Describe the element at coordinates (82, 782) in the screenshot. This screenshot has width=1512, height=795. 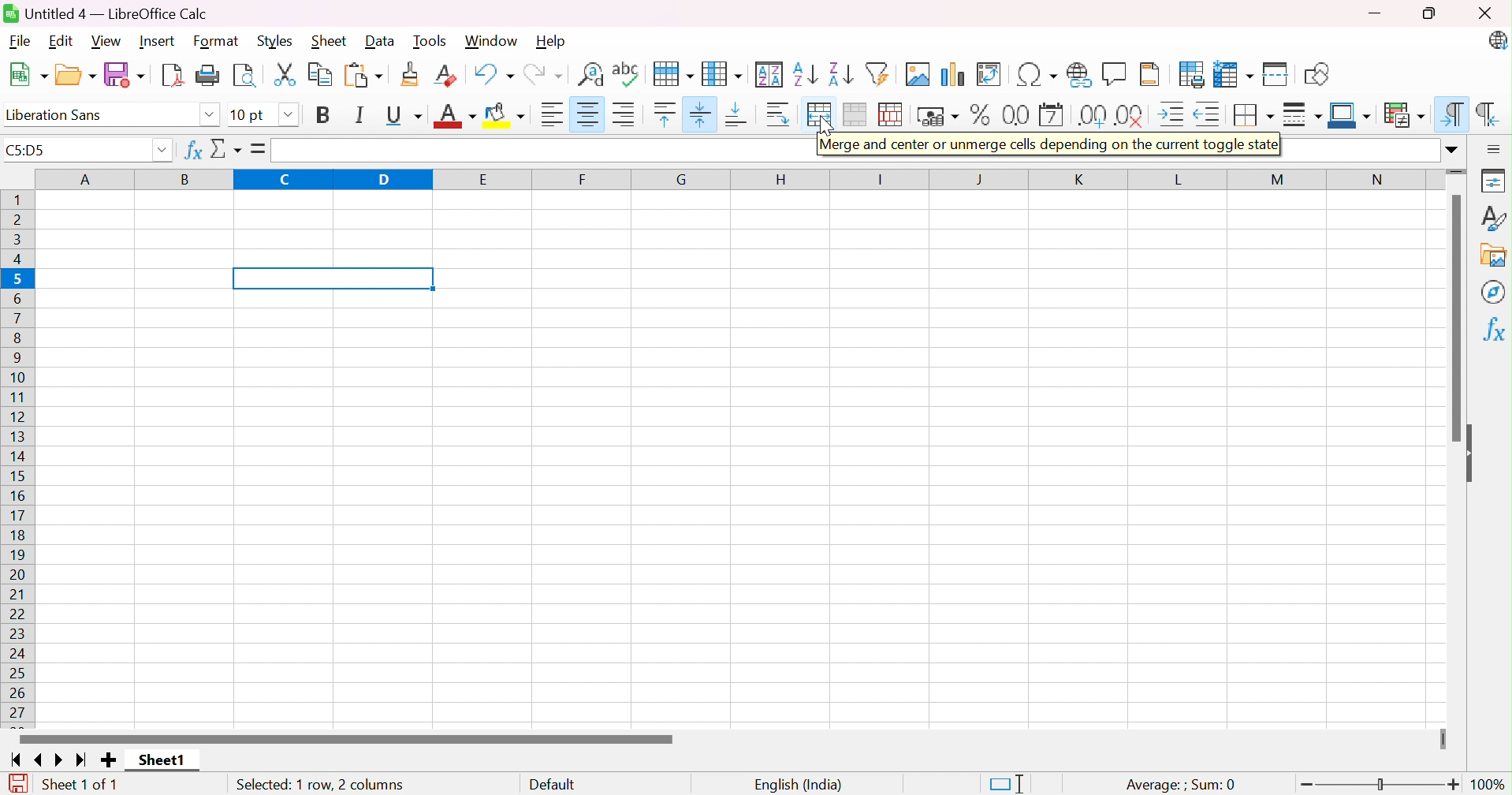
I see `Sheet 1 of 1` at that location.